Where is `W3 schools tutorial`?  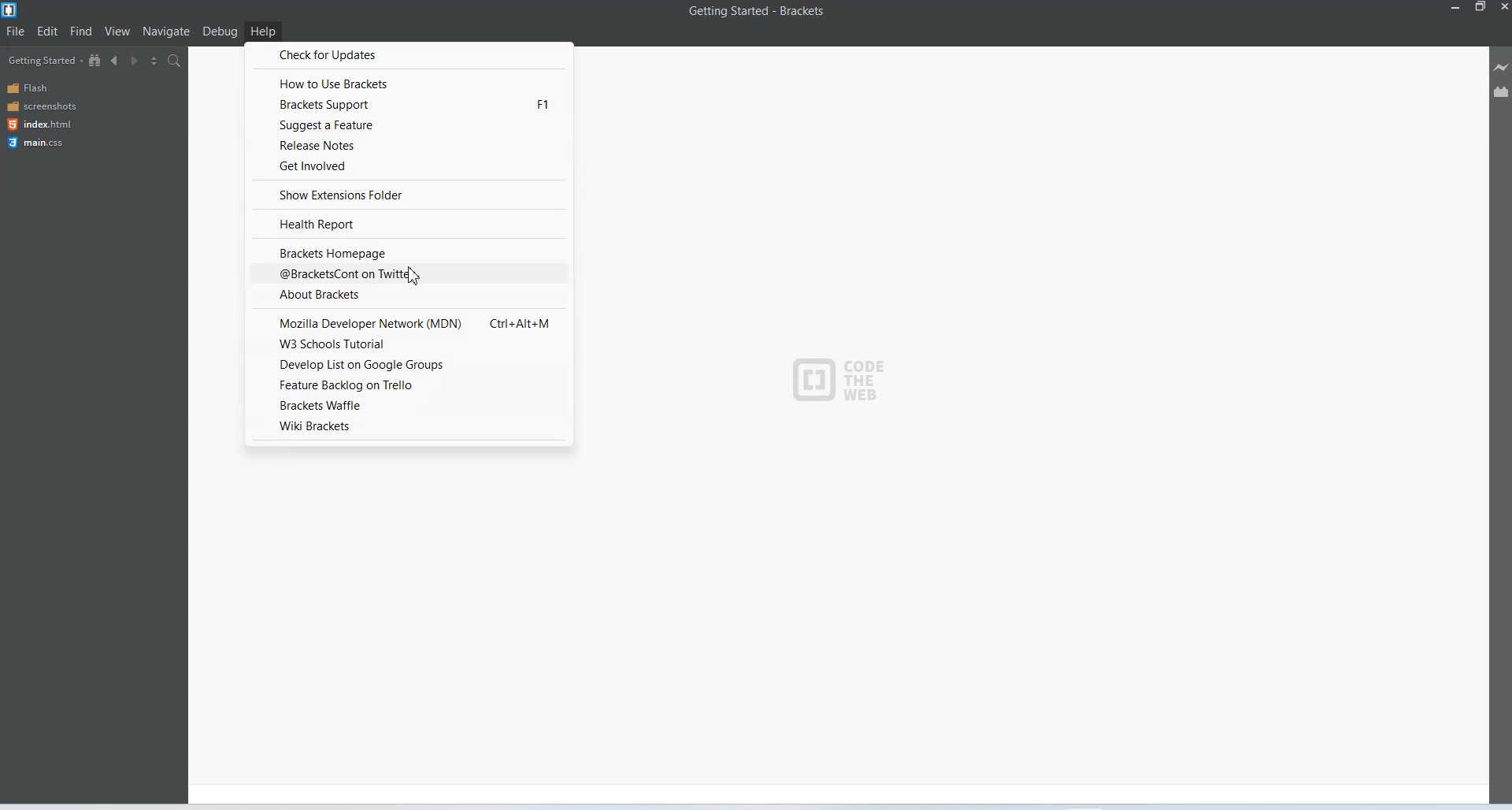 W3 schools tutorial is located at coordinates (409, 345).